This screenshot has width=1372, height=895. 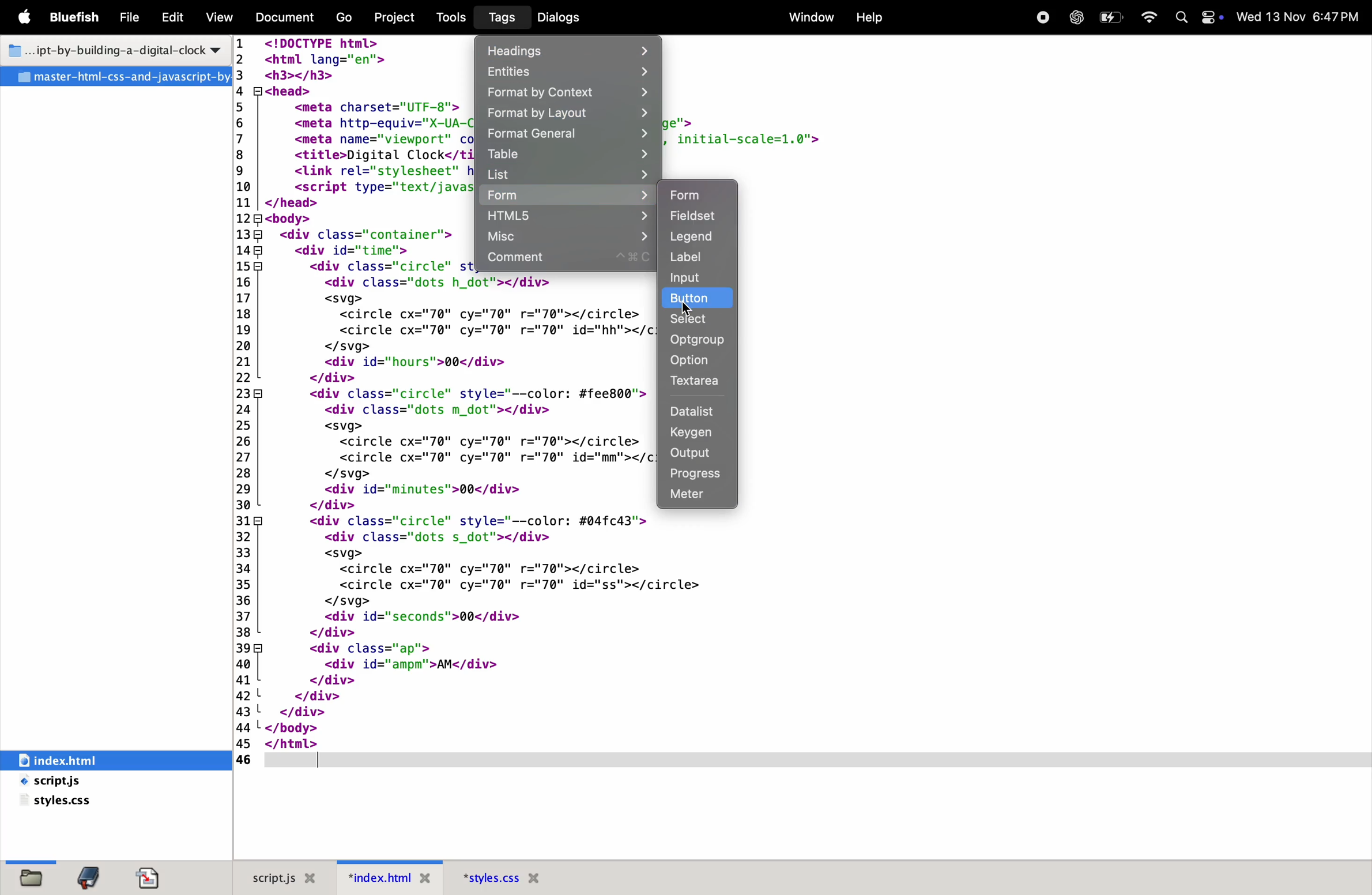 I want to click on label, so click(x=692, y=258).